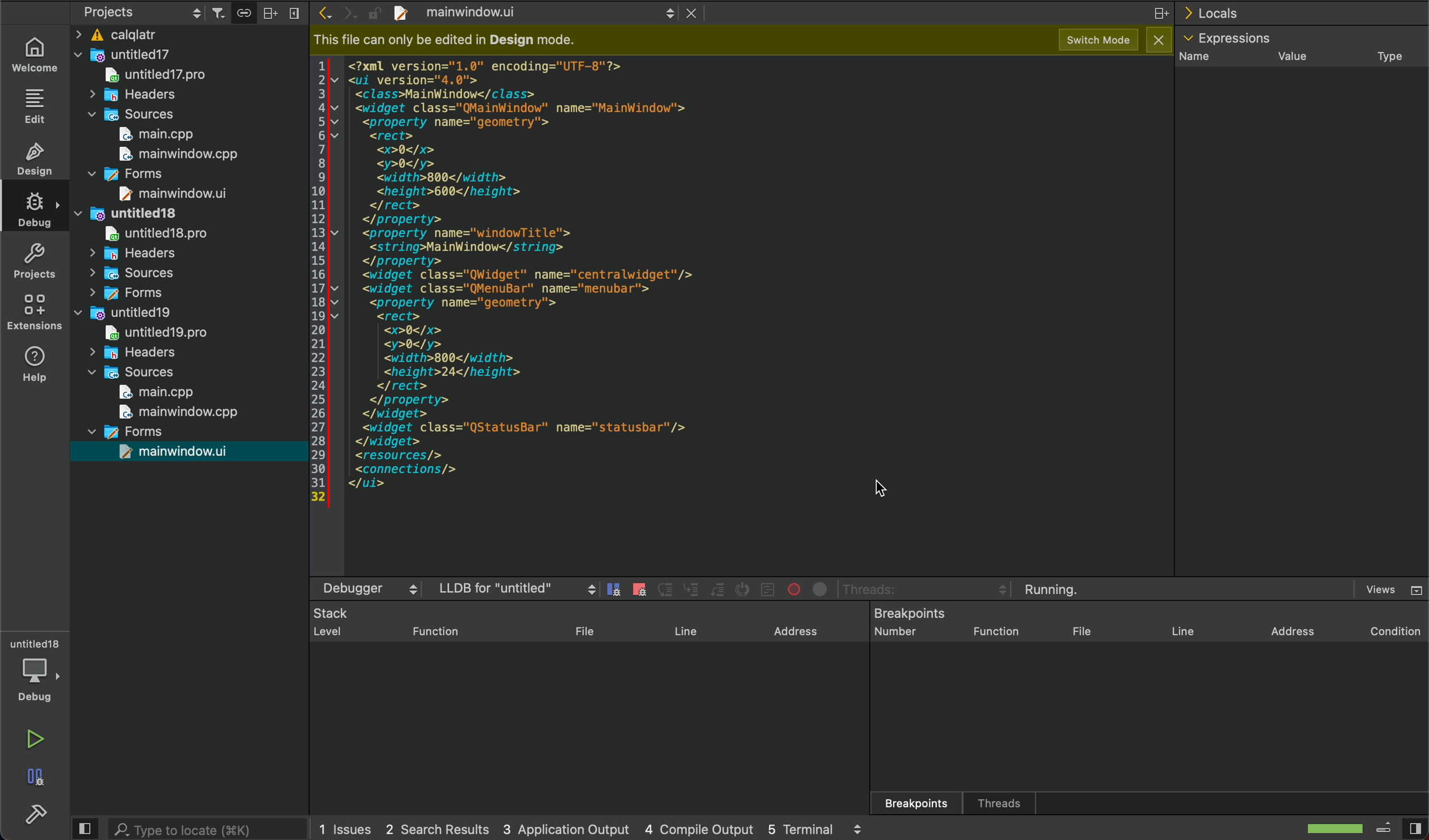 The width and height of the screenshot is (1429, 840). I want to click on untitledd12.pr, so click(146, 78).